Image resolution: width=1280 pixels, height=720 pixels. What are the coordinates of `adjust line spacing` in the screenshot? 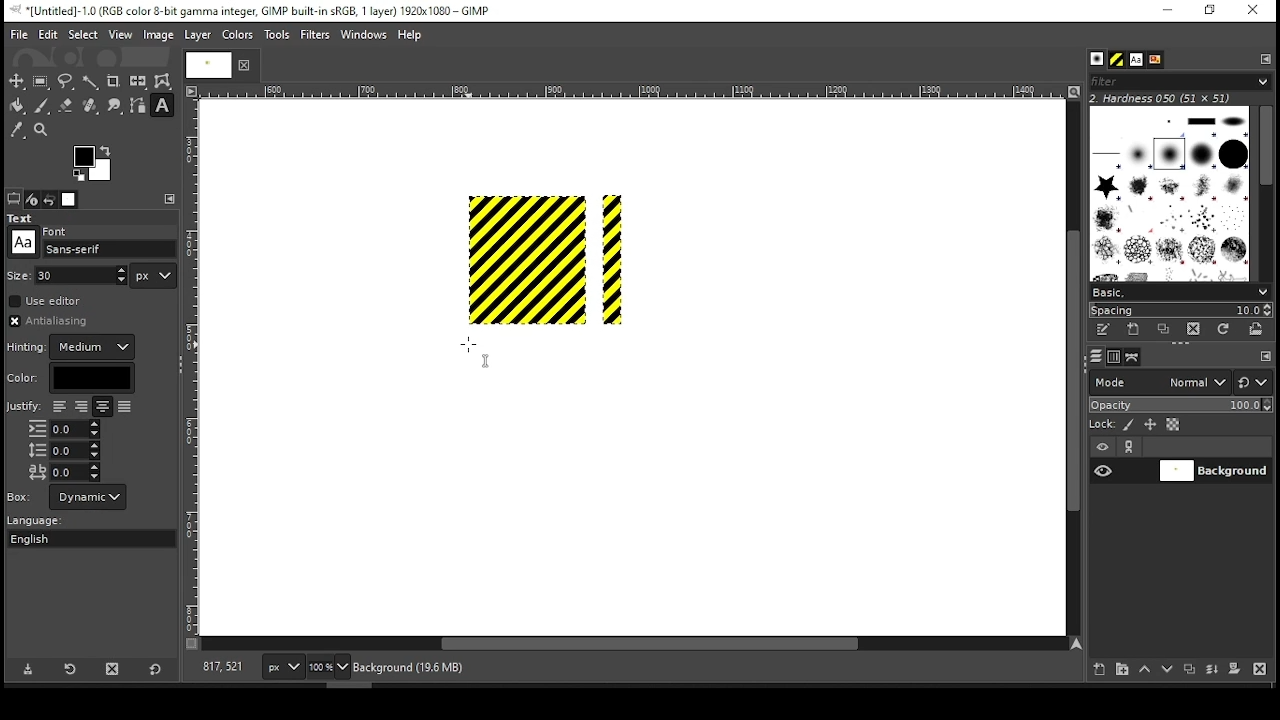 It's located at (64, 450).